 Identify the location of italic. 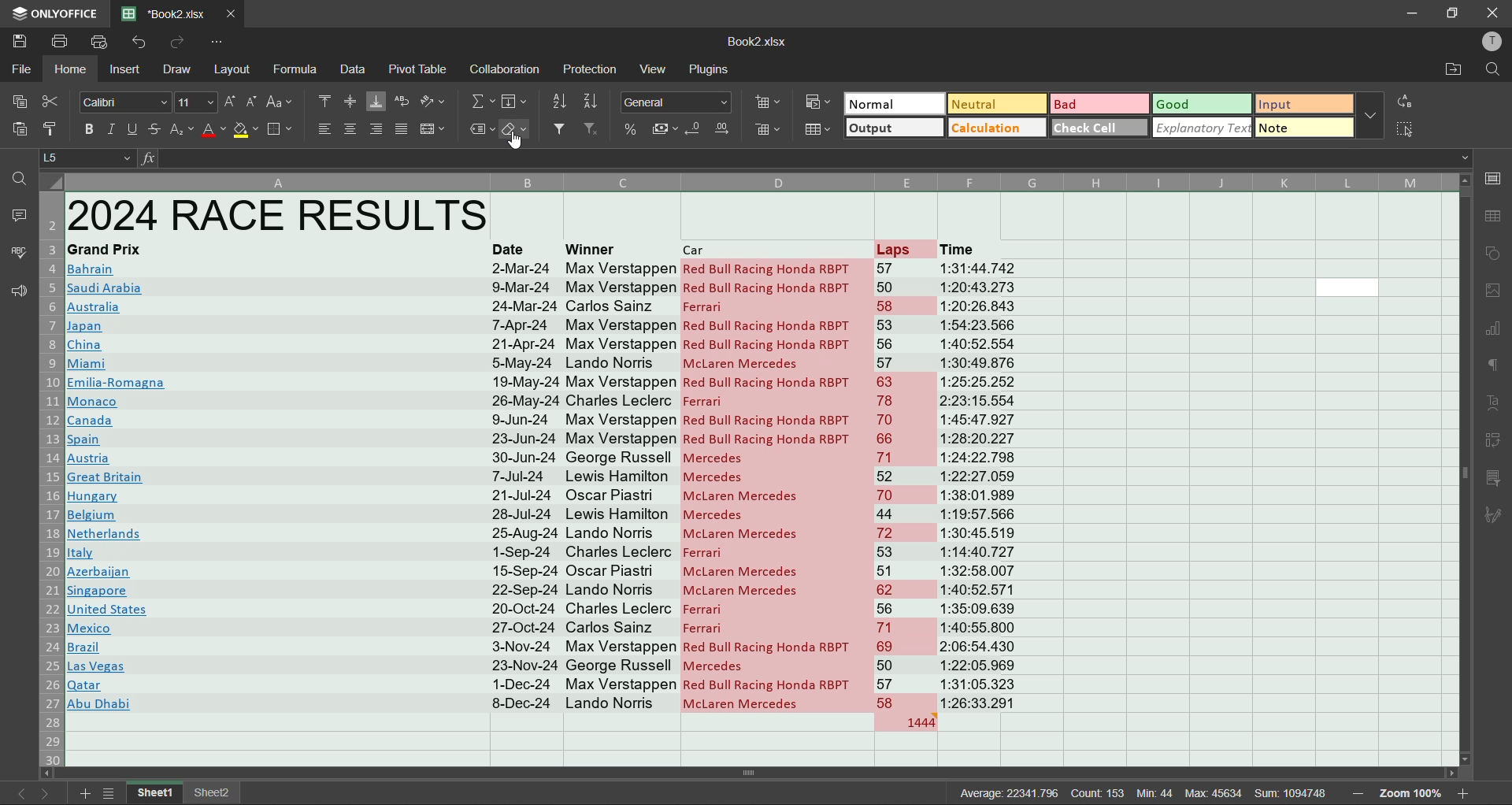
(110, 130).